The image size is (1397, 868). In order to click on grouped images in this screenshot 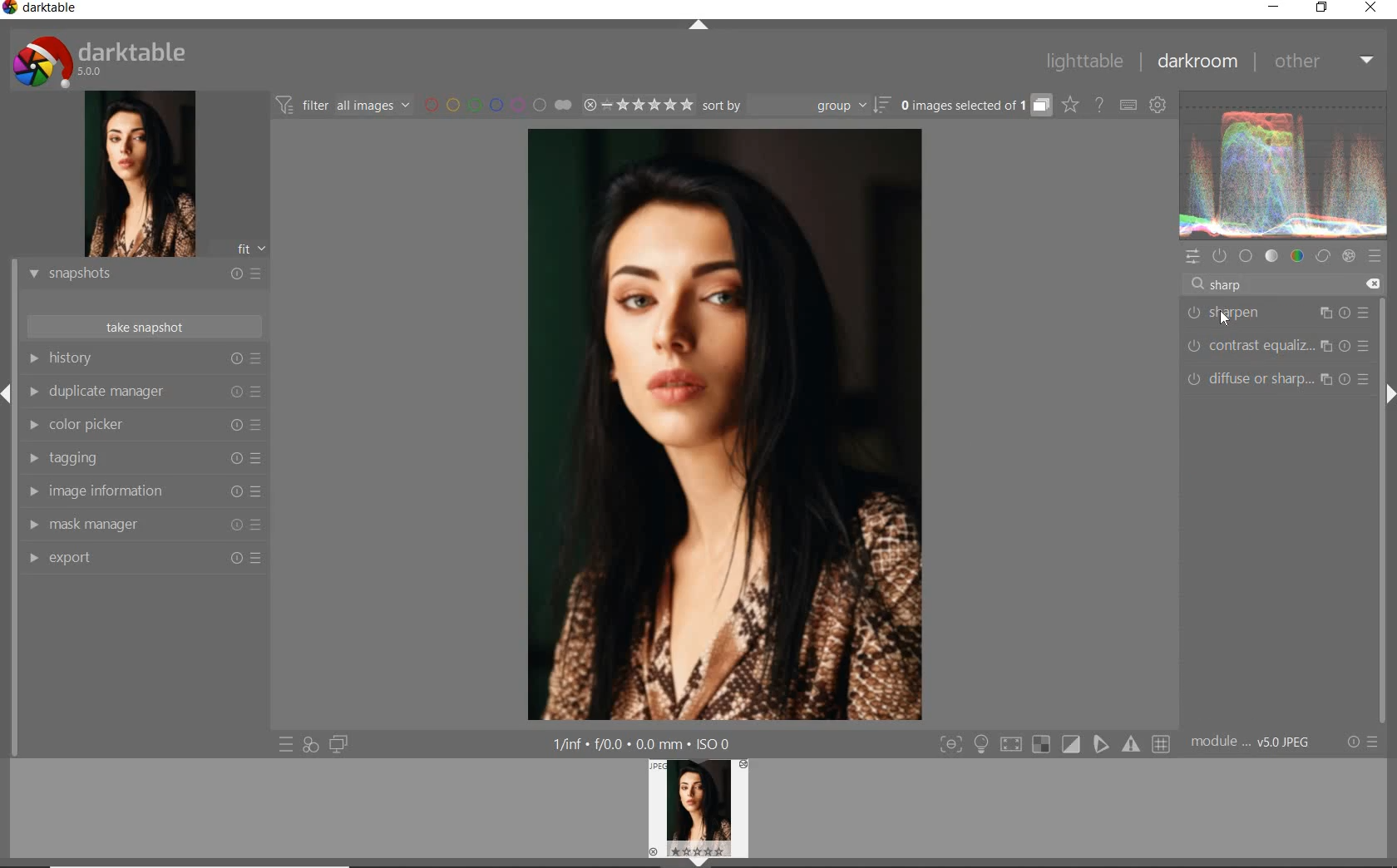, I will do `click(976, 106)`.